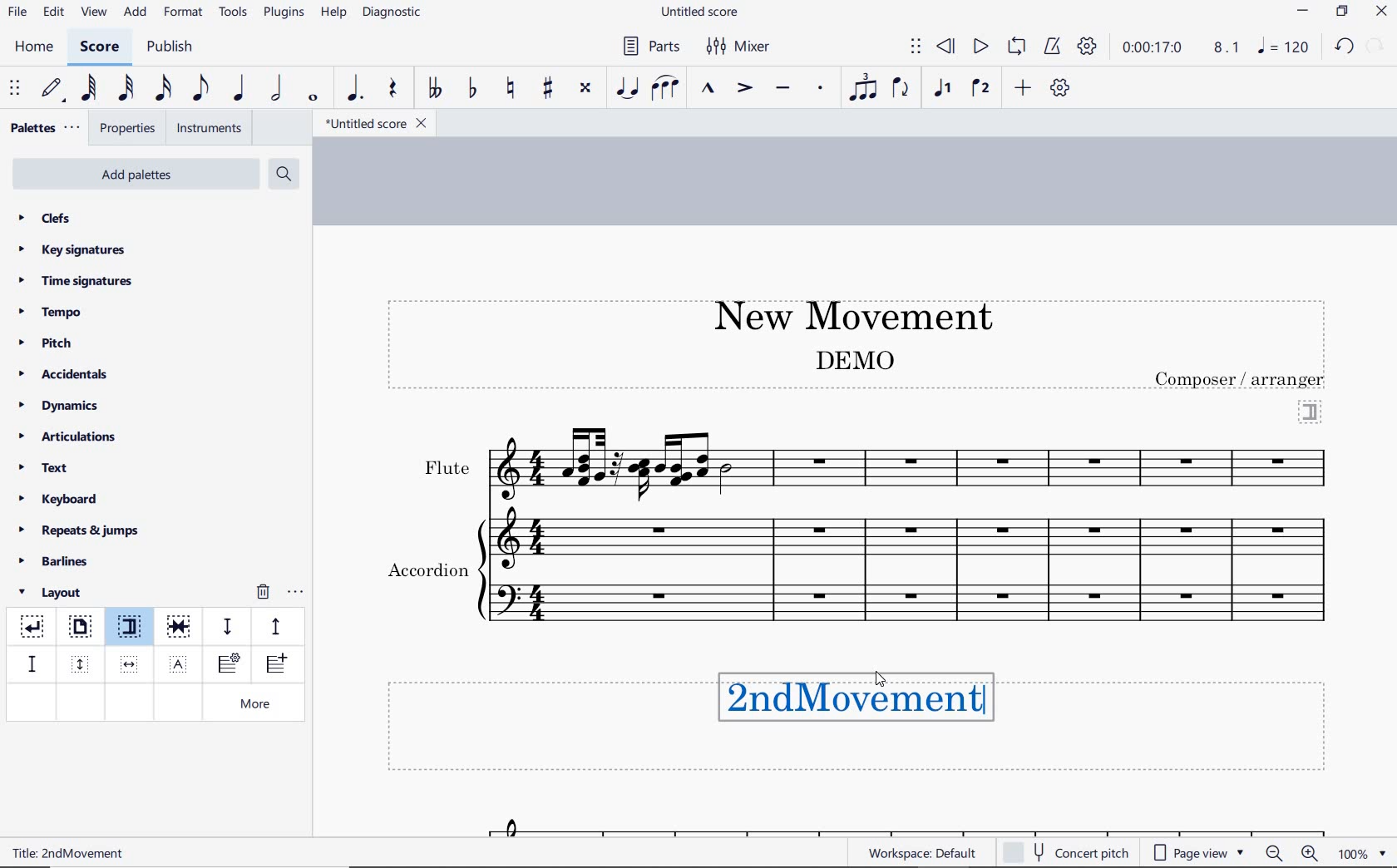 The width and height of the screenshot is (1397, 868). What do you see at coordinates (227, 627) in the screenshot?
I see `staff spacer sown` at bounding box center [227, 627].